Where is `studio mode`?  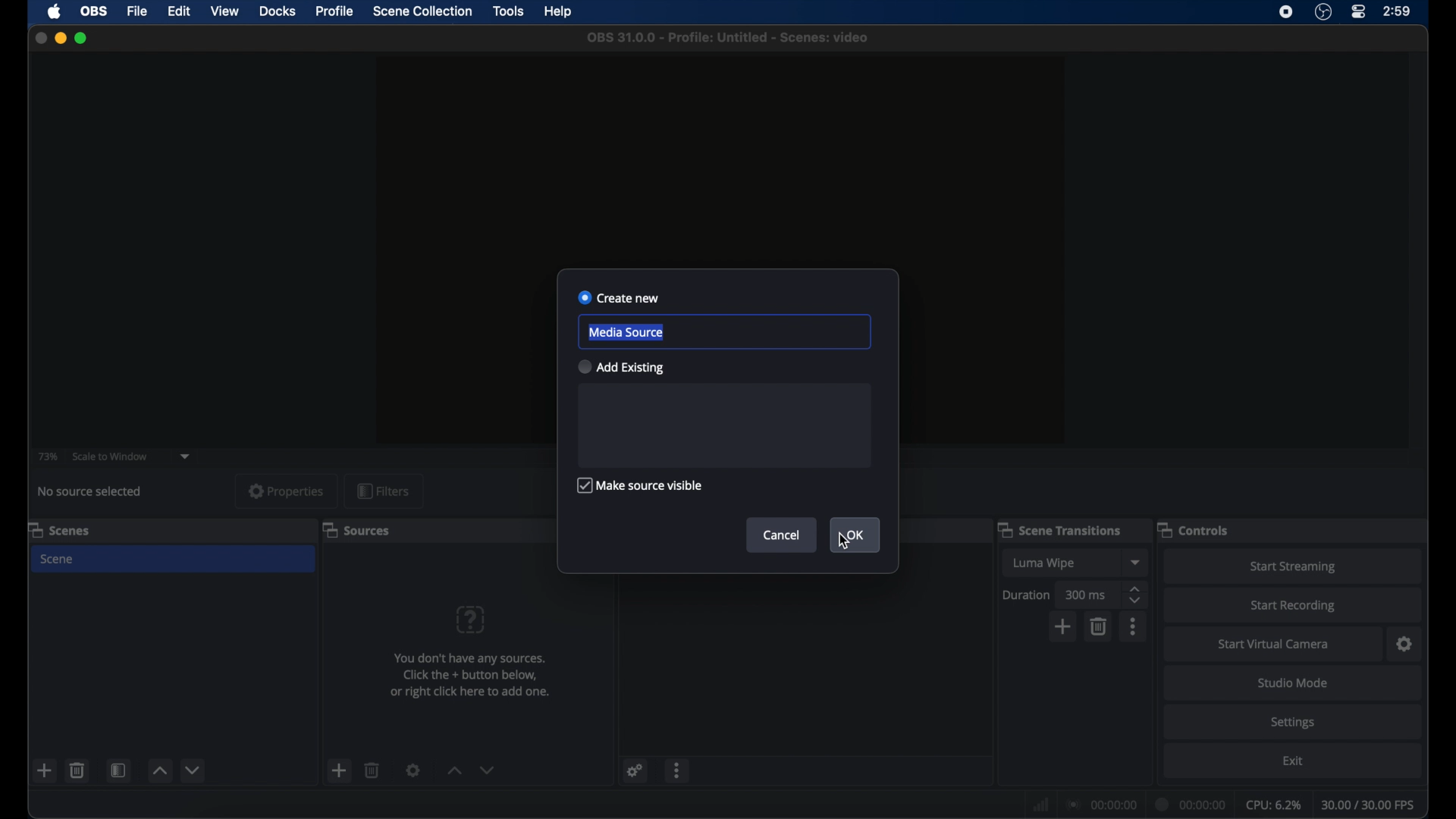
studio mode is located at coordinates (1291, 684).